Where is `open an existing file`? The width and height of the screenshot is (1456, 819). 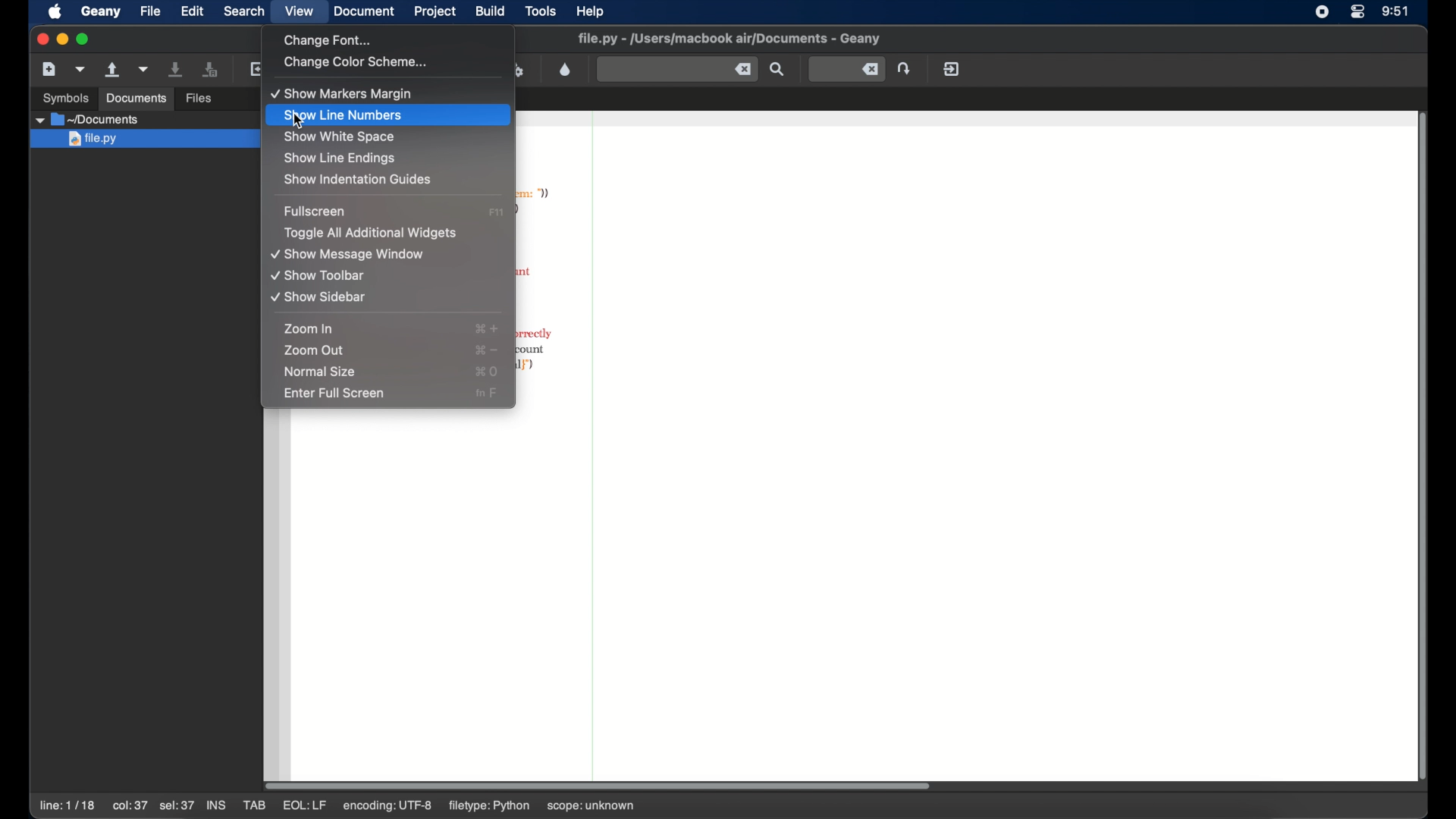
open an existing file is located at coordinates (113, 70).